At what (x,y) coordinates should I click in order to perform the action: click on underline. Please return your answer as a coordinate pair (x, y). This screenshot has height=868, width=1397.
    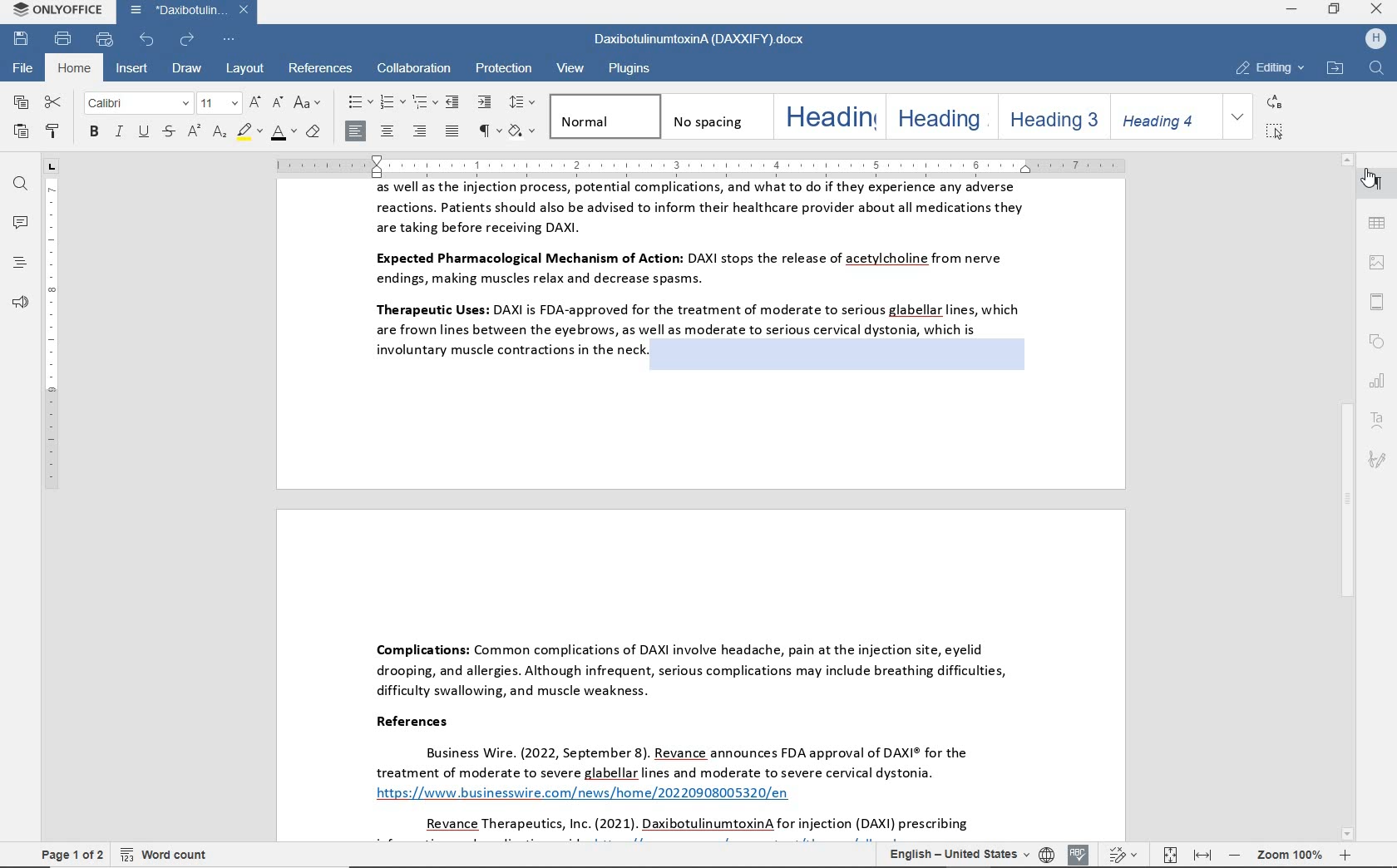
    Looking at the image, I should click on (143, 133).